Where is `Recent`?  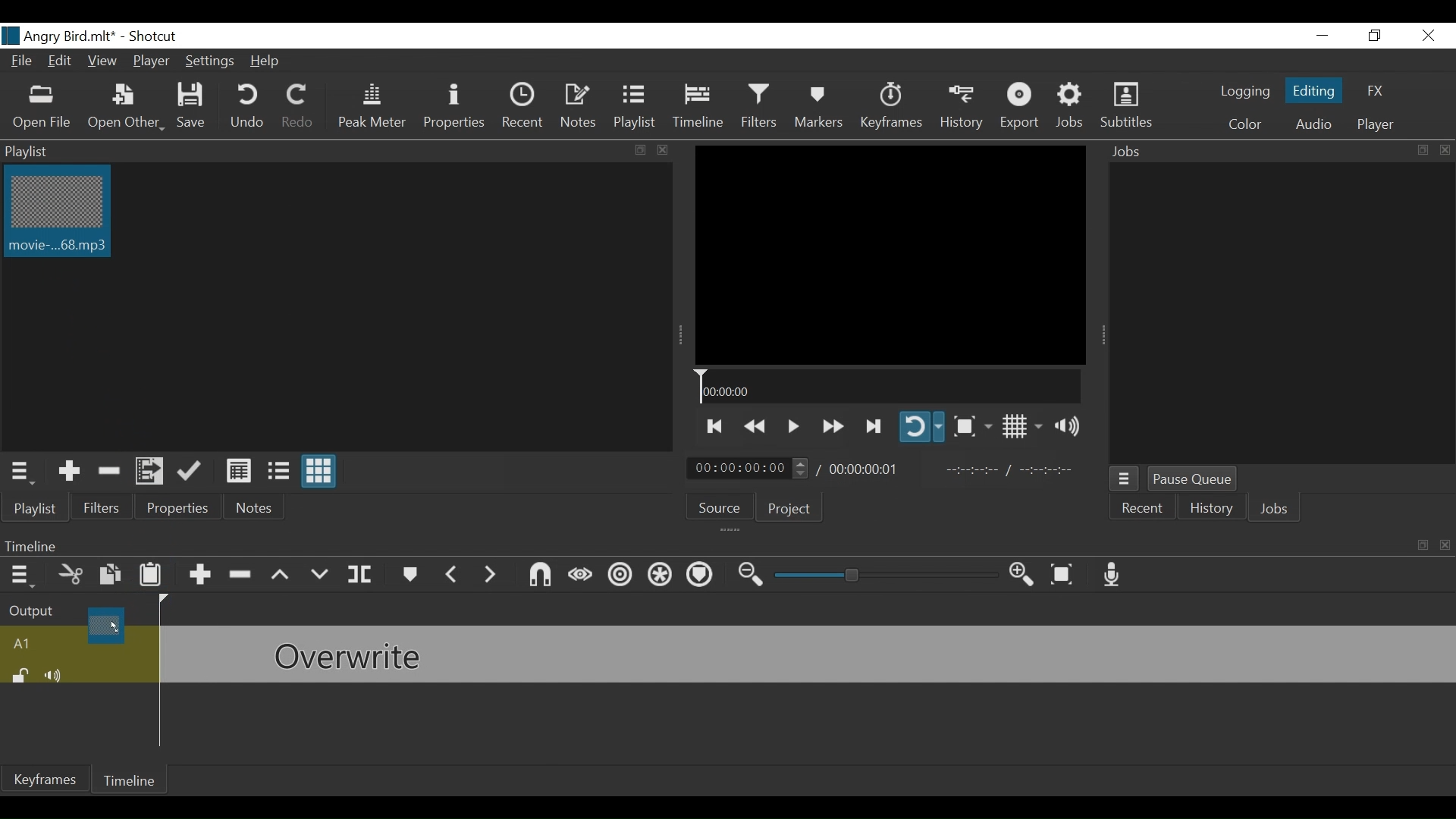
Recent is located at coordinates (1143, 508).